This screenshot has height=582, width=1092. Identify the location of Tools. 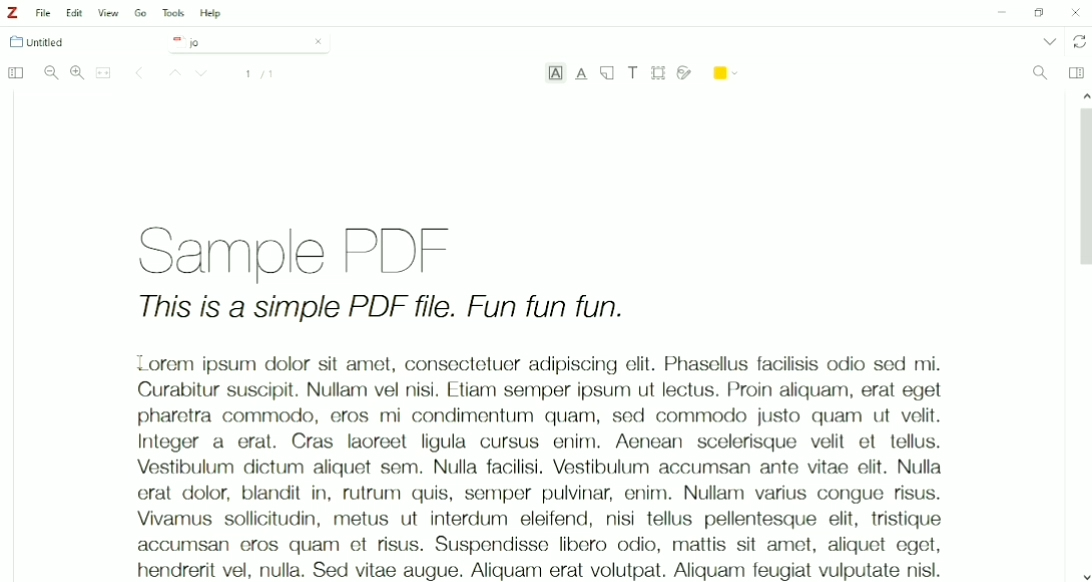
(173, 13).